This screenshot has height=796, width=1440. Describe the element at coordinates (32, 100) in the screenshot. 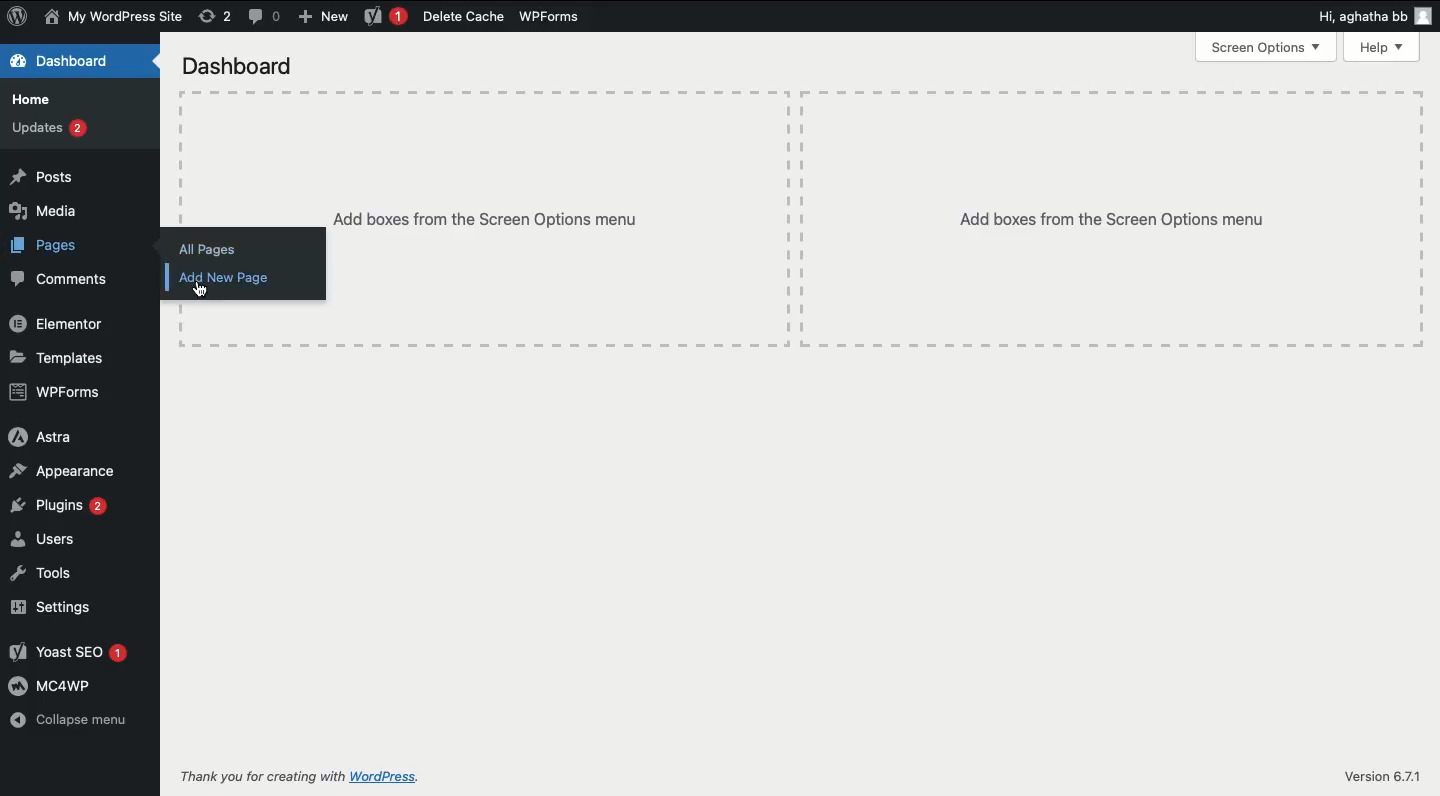

I see `Home` at that location.